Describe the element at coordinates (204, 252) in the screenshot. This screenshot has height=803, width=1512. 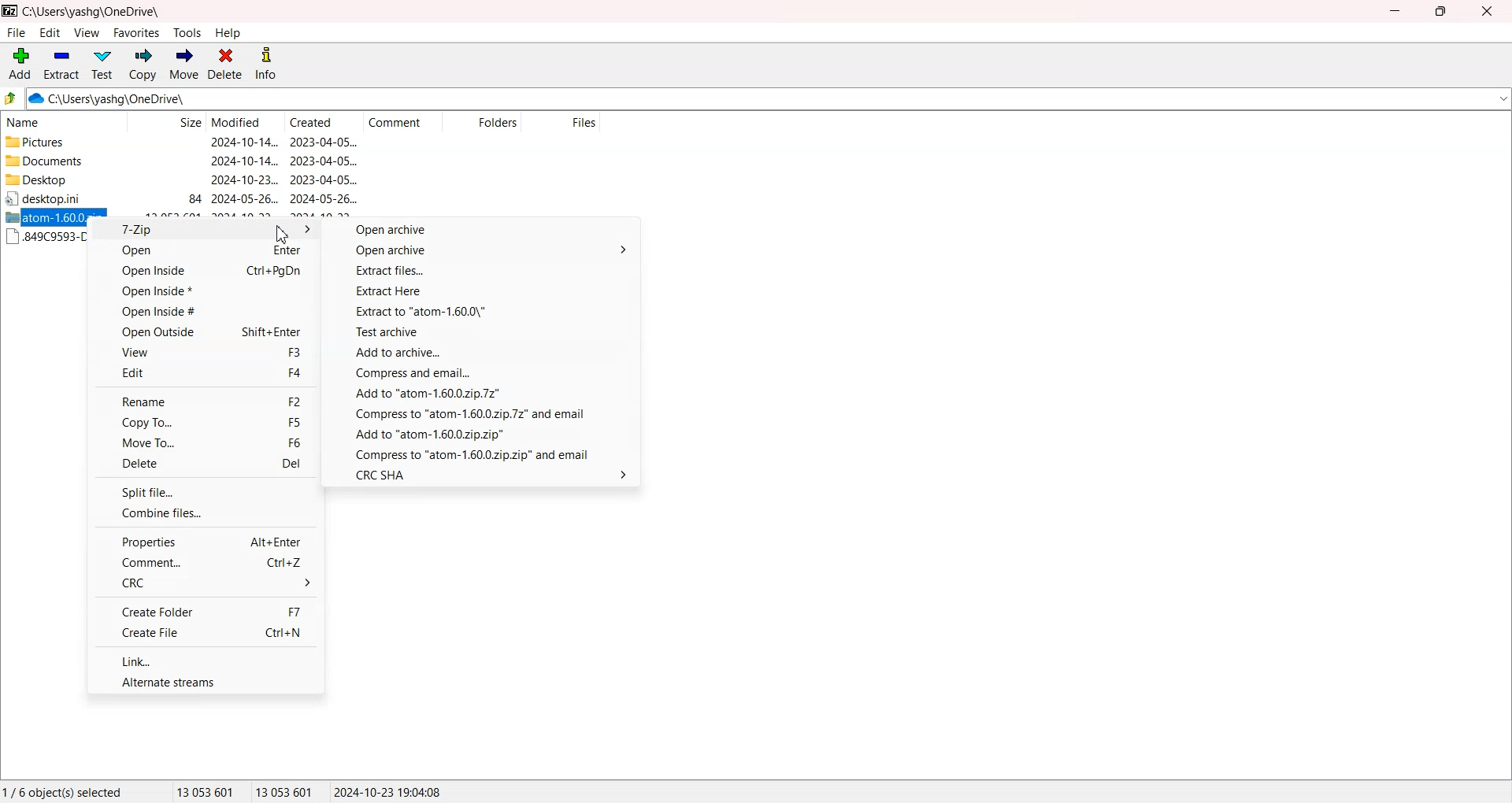
I see `Open` at that location.